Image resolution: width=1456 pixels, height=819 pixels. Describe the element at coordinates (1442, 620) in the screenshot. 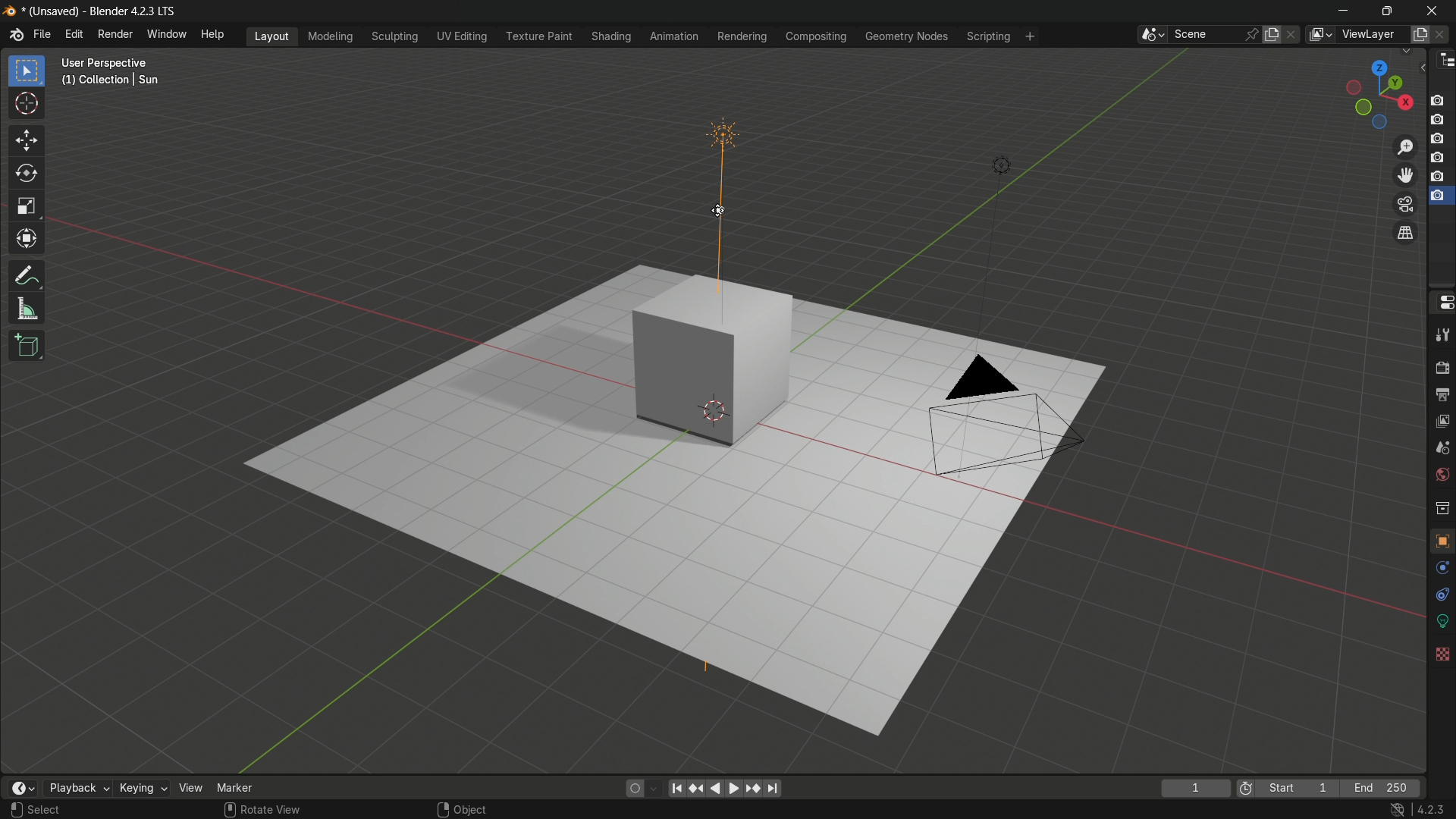

I see `data` at that location.